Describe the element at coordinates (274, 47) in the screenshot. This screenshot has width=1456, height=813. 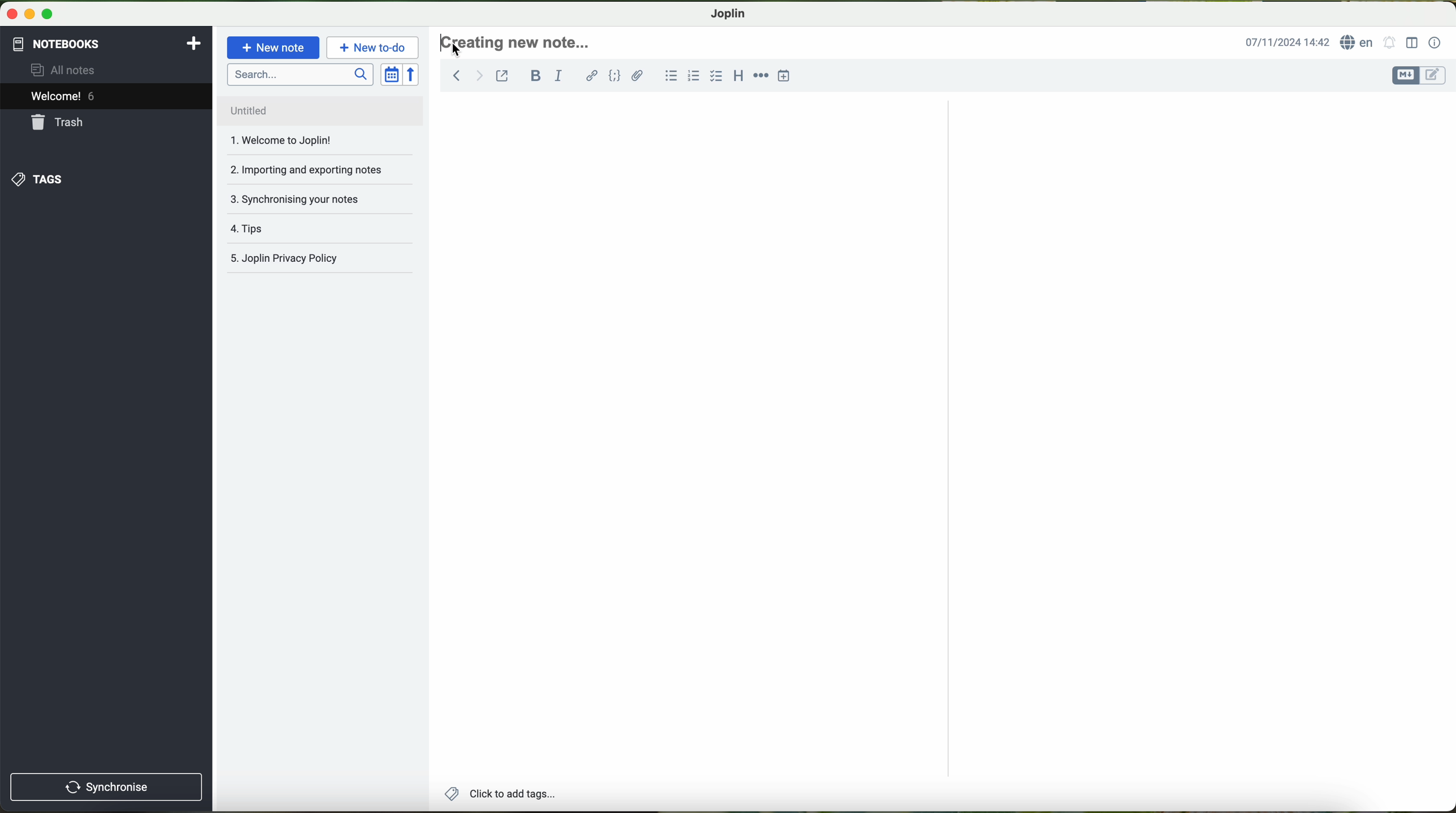
I see `new note button` at that location.